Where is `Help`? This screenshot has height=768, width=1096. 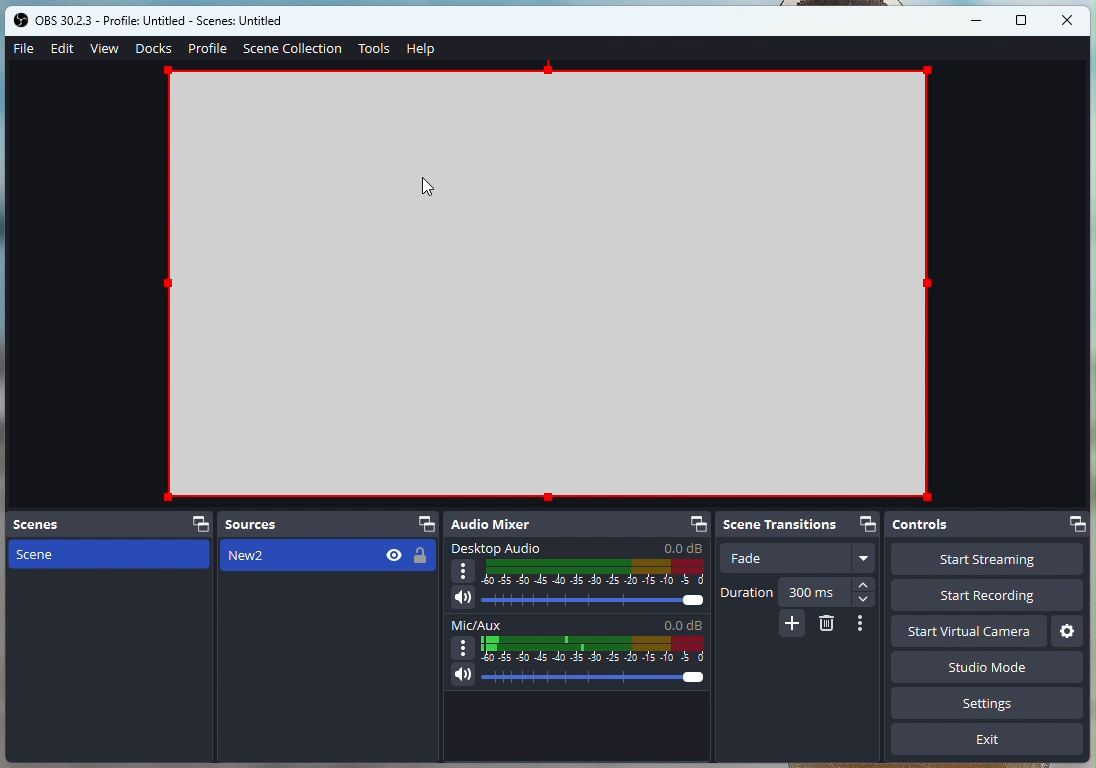 Help is located at coordinates (420, 50).